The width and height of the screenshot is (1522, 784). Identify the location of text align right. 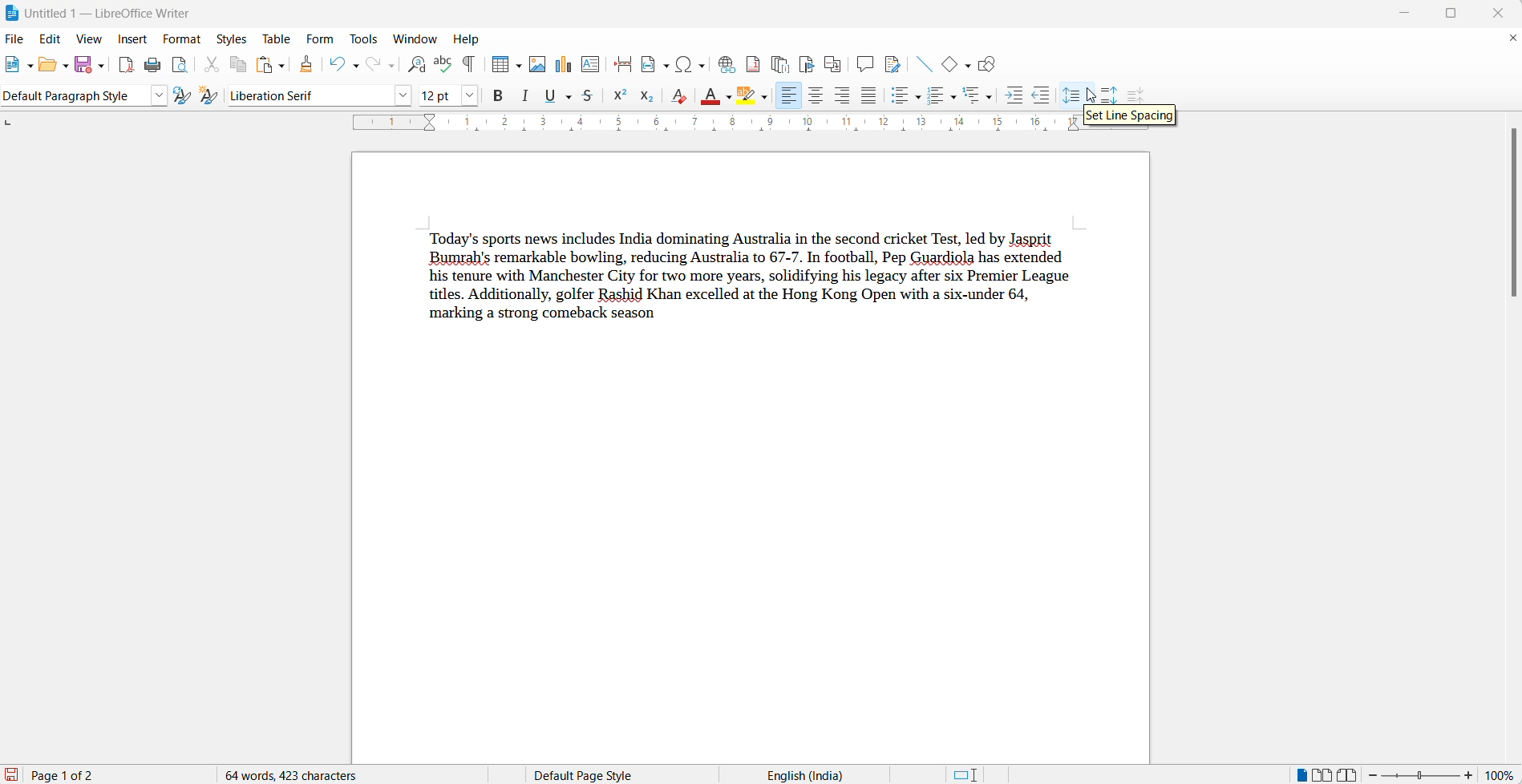
(840, 97).